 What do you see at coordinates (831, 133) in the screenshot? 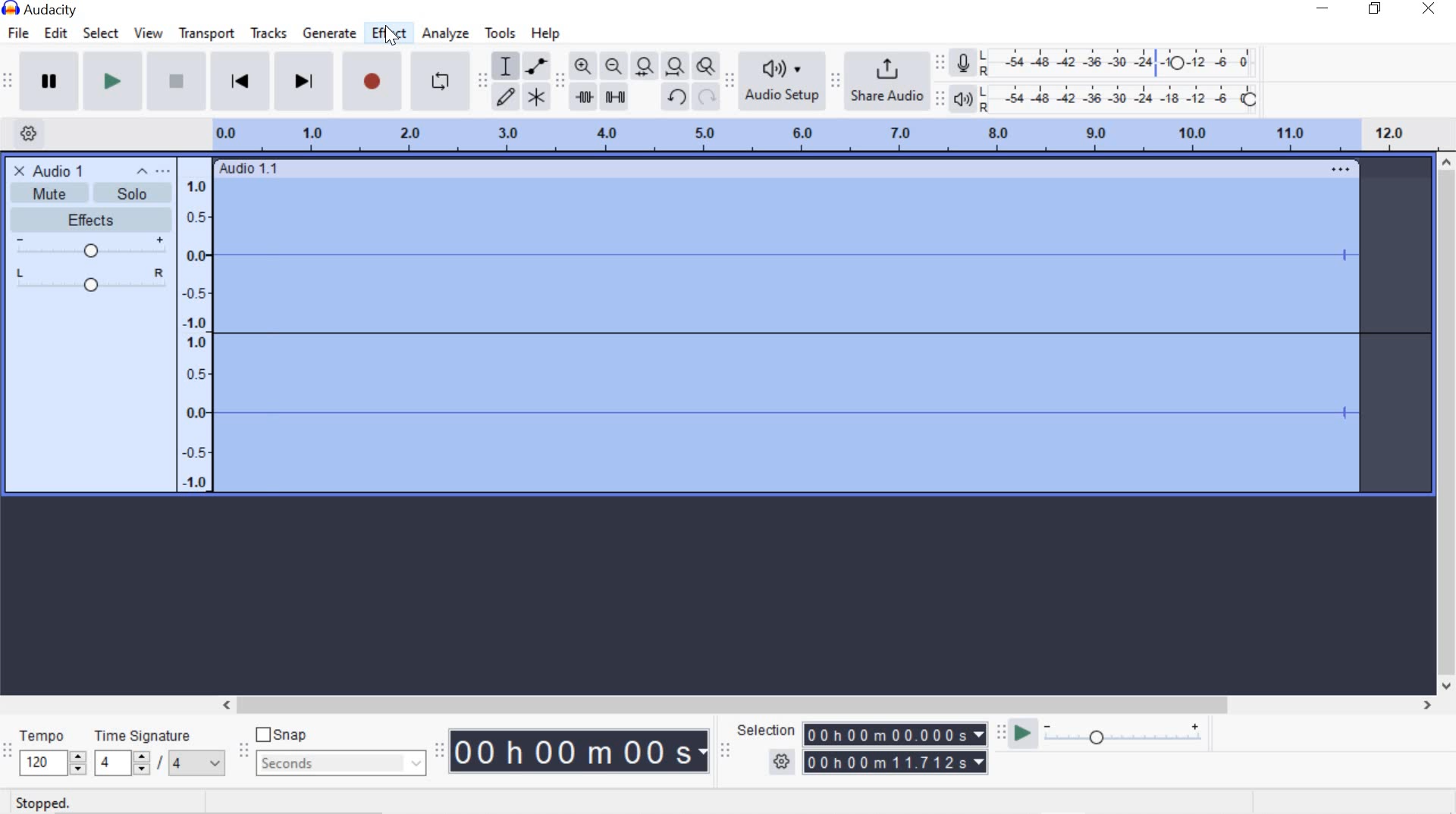
I see `Looping region` at bounding box center [831, 133].